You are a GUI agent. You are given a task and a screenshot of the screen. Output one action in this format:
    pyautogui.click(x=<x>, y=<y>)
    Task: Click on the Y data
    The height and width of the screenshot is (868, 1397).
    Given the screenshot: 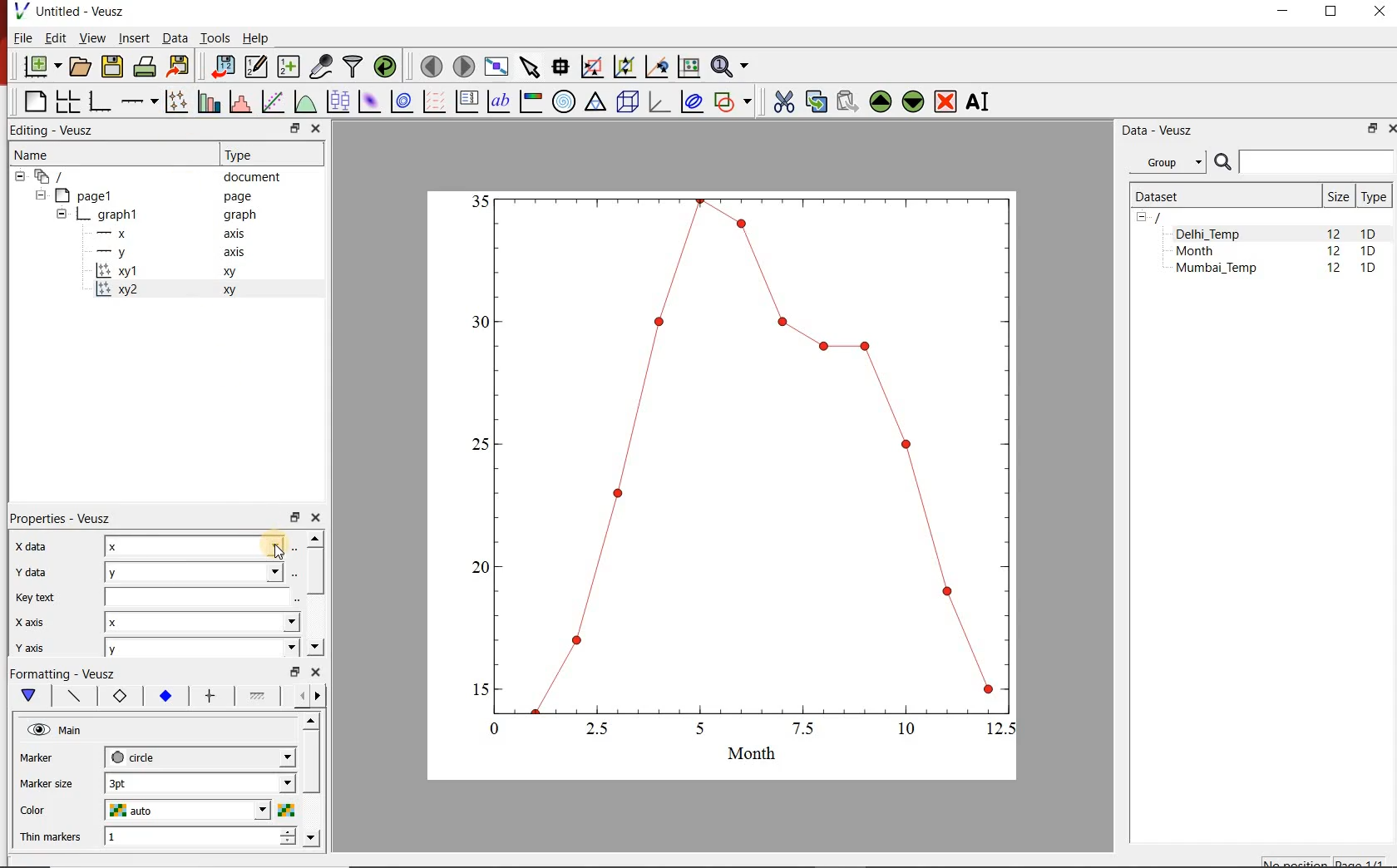 What is the action you would take?
    pyautogui.click(x=29, y=571)
    